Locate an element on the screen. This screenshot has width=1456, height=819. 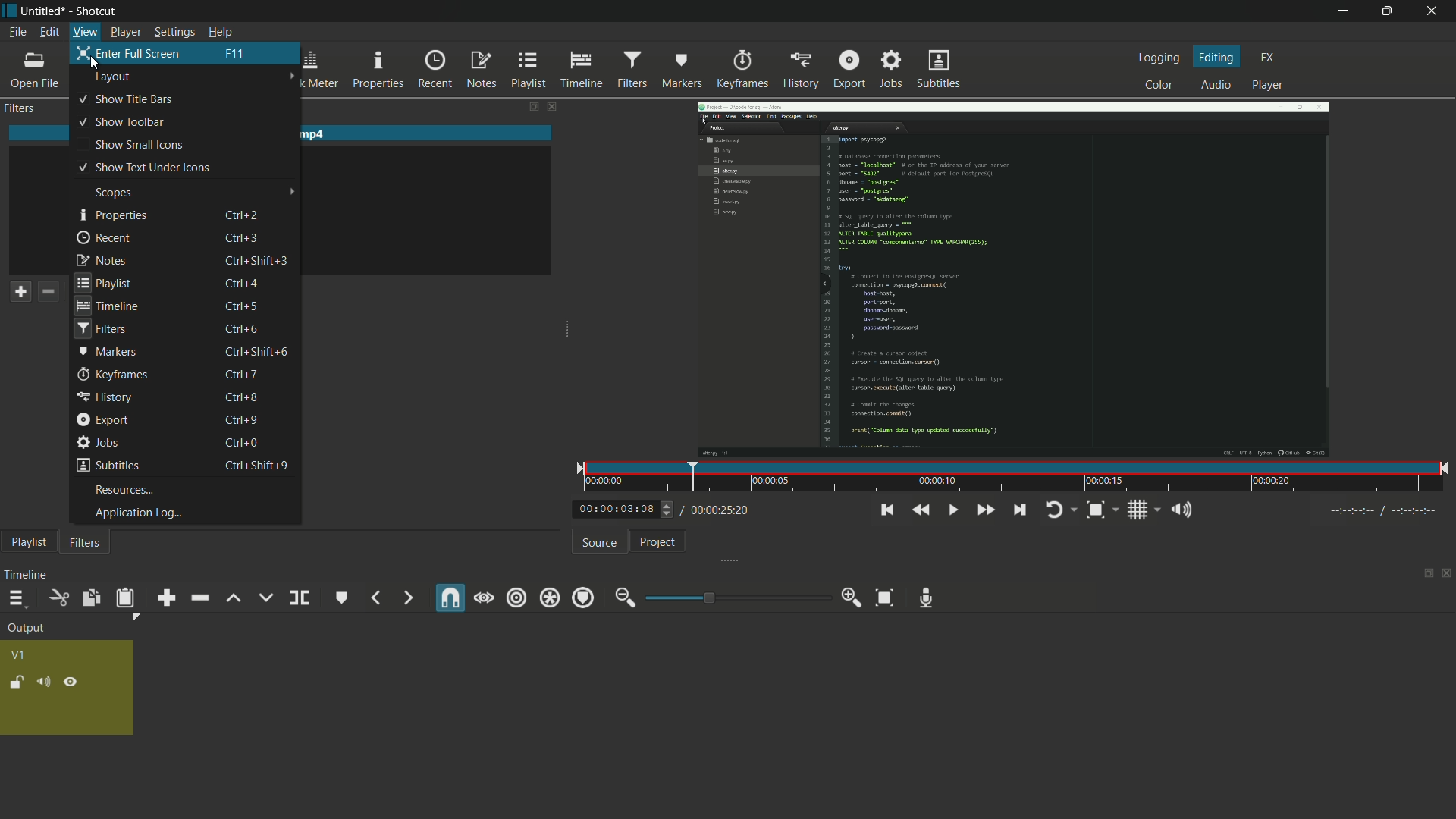
recent is located at coordinates (106, 237).